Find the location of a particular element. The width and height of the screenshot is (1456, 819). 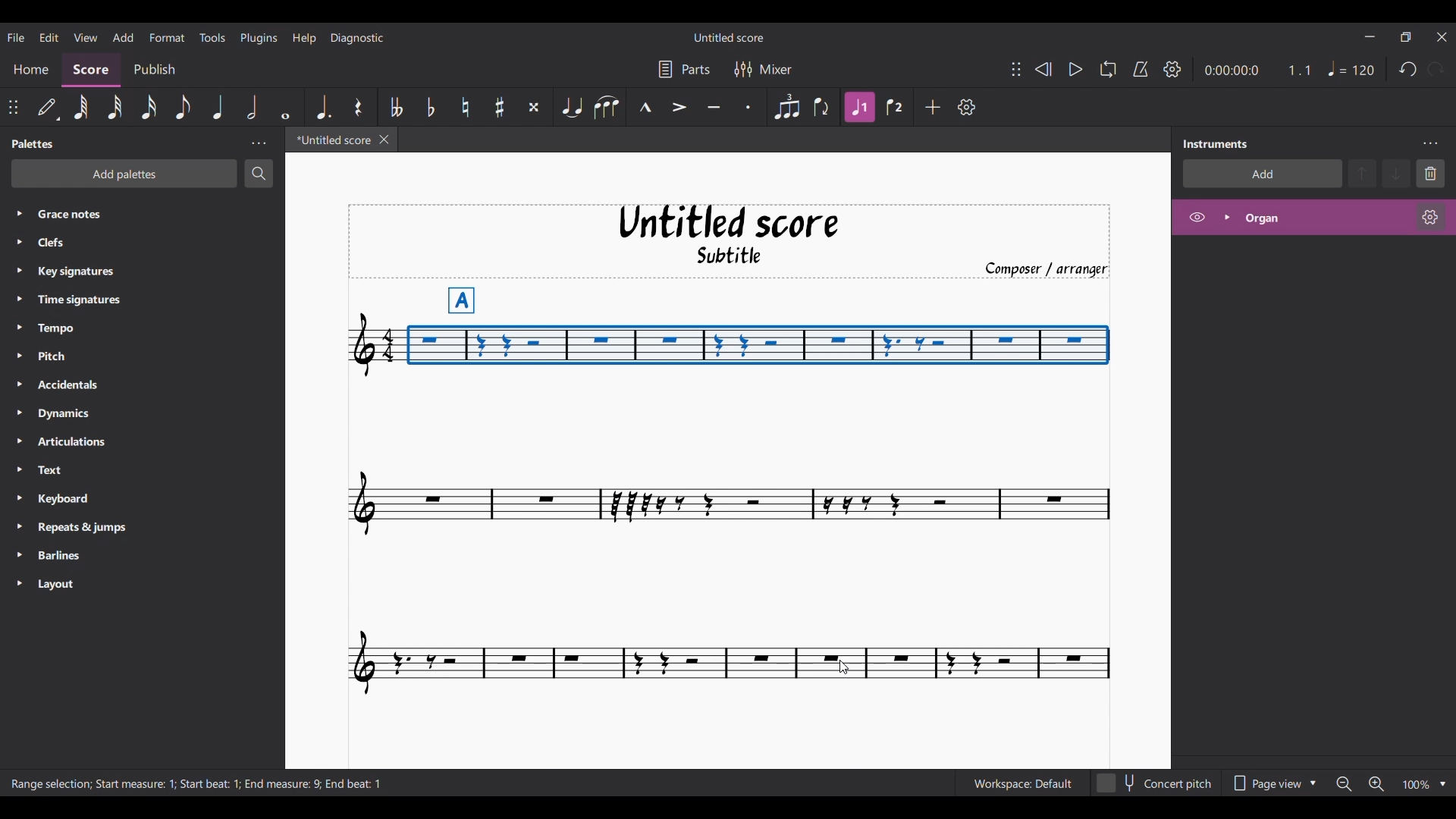

Toggle natural is located at coordinates (465, 107).